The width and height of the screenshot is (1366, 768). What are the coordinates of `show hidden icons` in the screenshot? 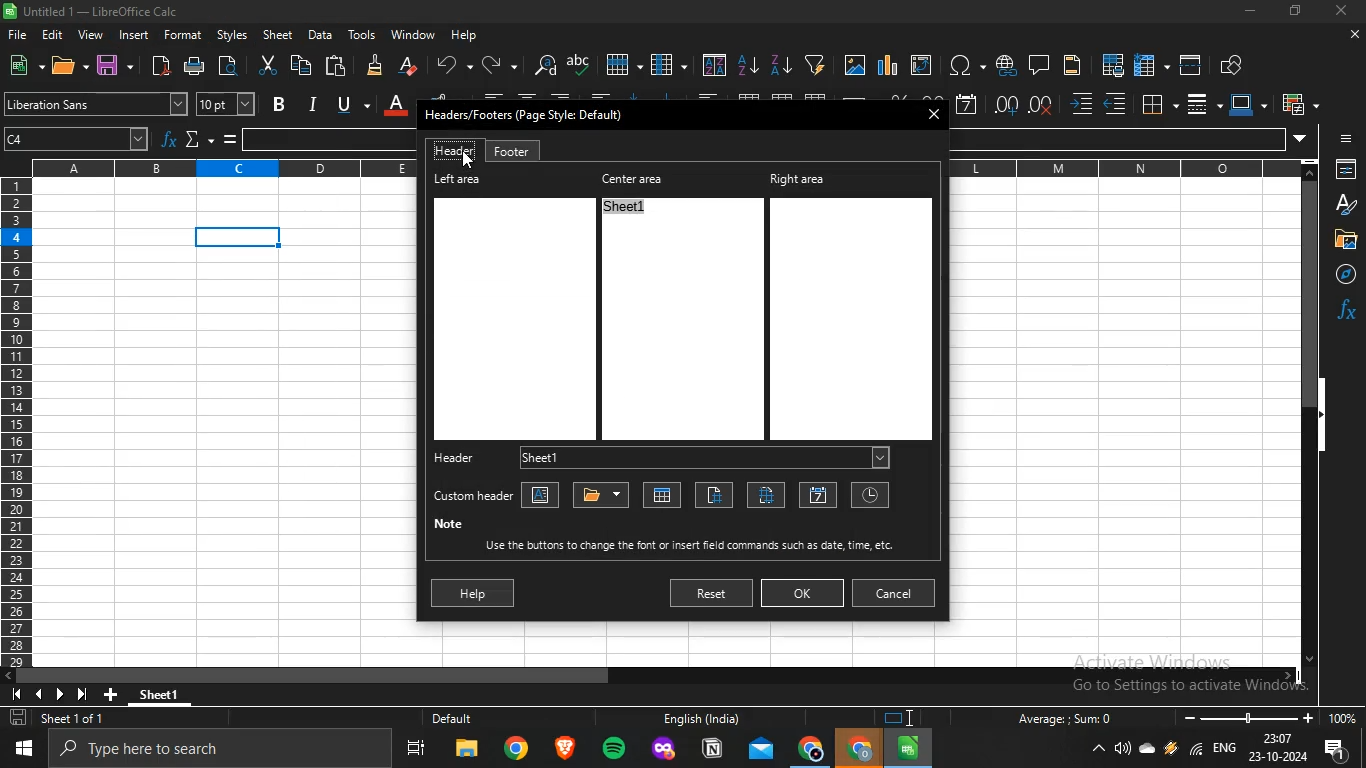 It's located at (1099, 750).